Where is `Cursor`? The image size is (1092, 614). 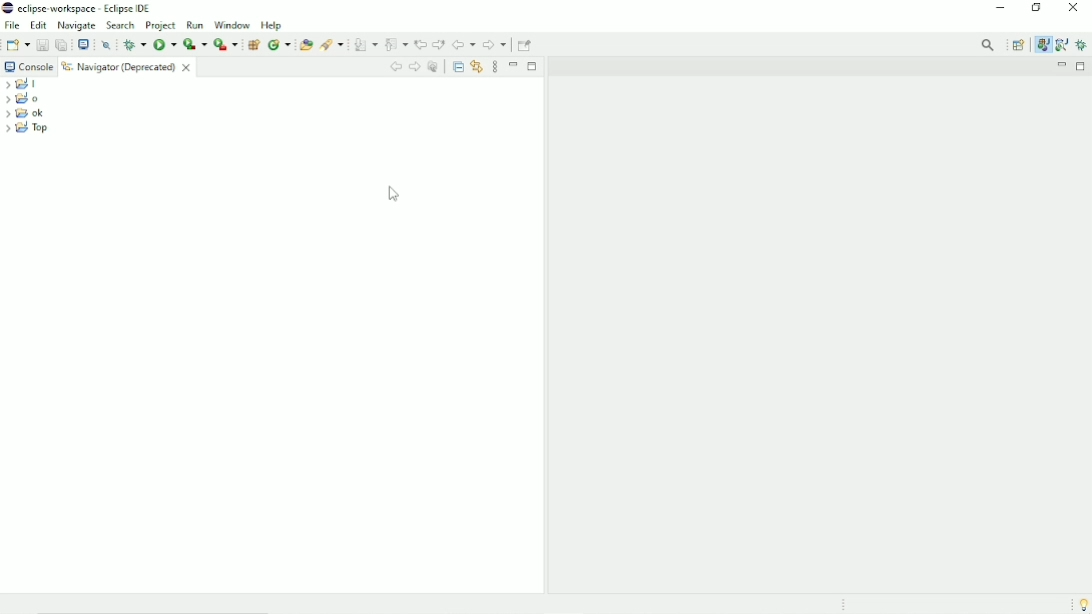 Cursor is located at coordinates (395, 195).